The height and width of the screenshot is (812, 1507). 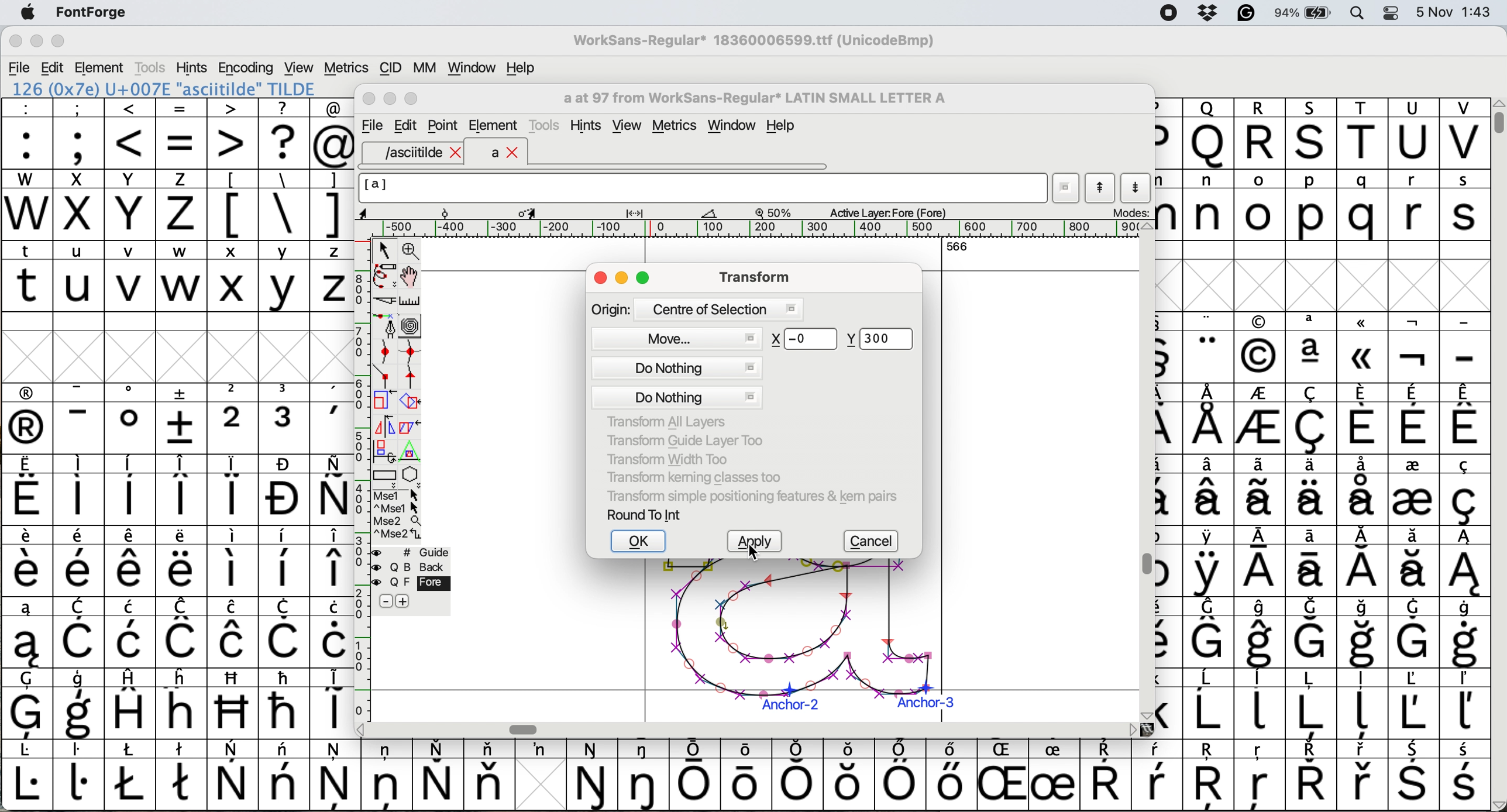 What do you see at coordinates (1310, 703) in the screenshot?
I see `symbol` at bounding box center [1310, 703].